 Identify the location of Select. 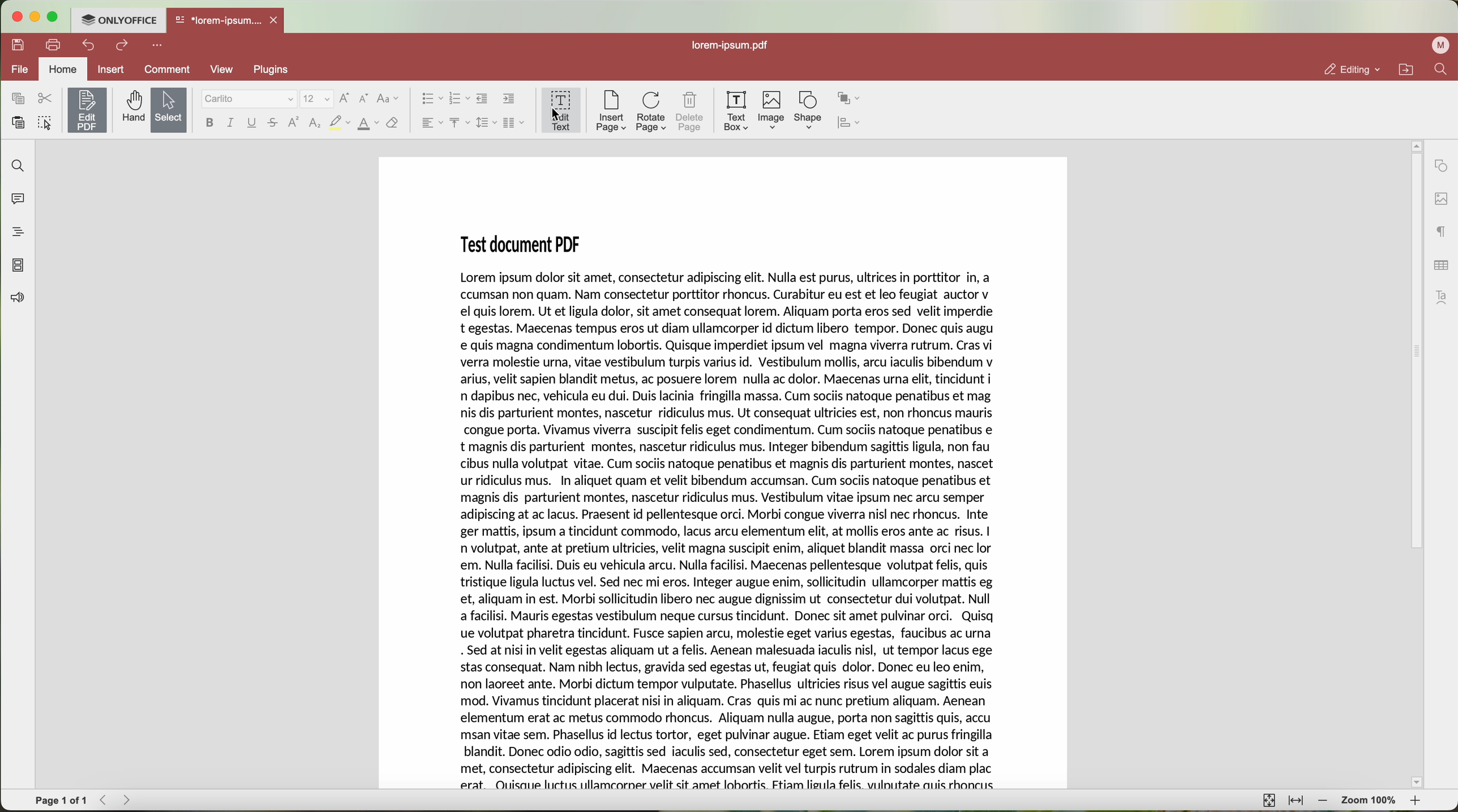
(168, 110).